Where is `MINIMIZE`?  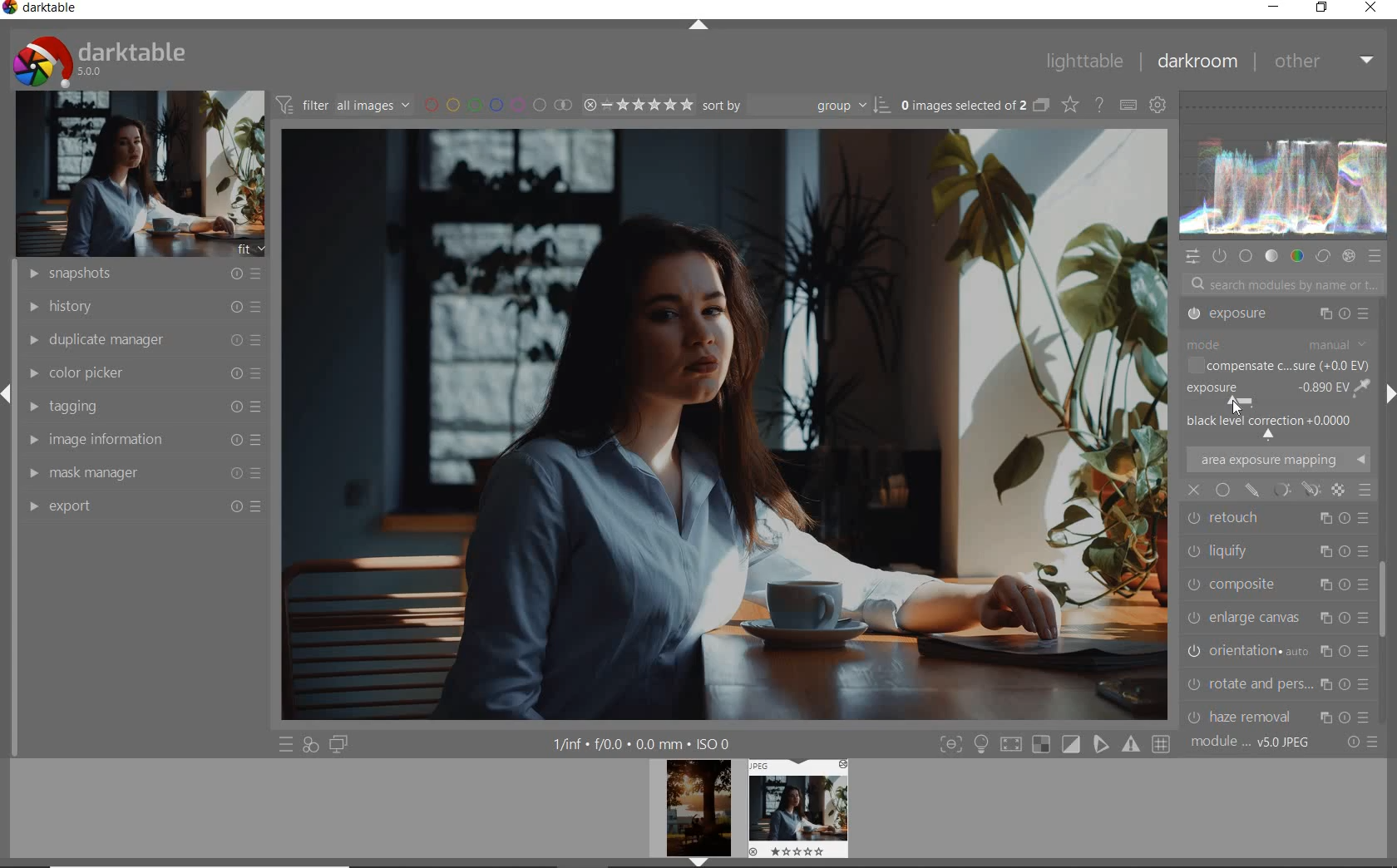
MINIMIZE is located at coordinates (1271, 7).